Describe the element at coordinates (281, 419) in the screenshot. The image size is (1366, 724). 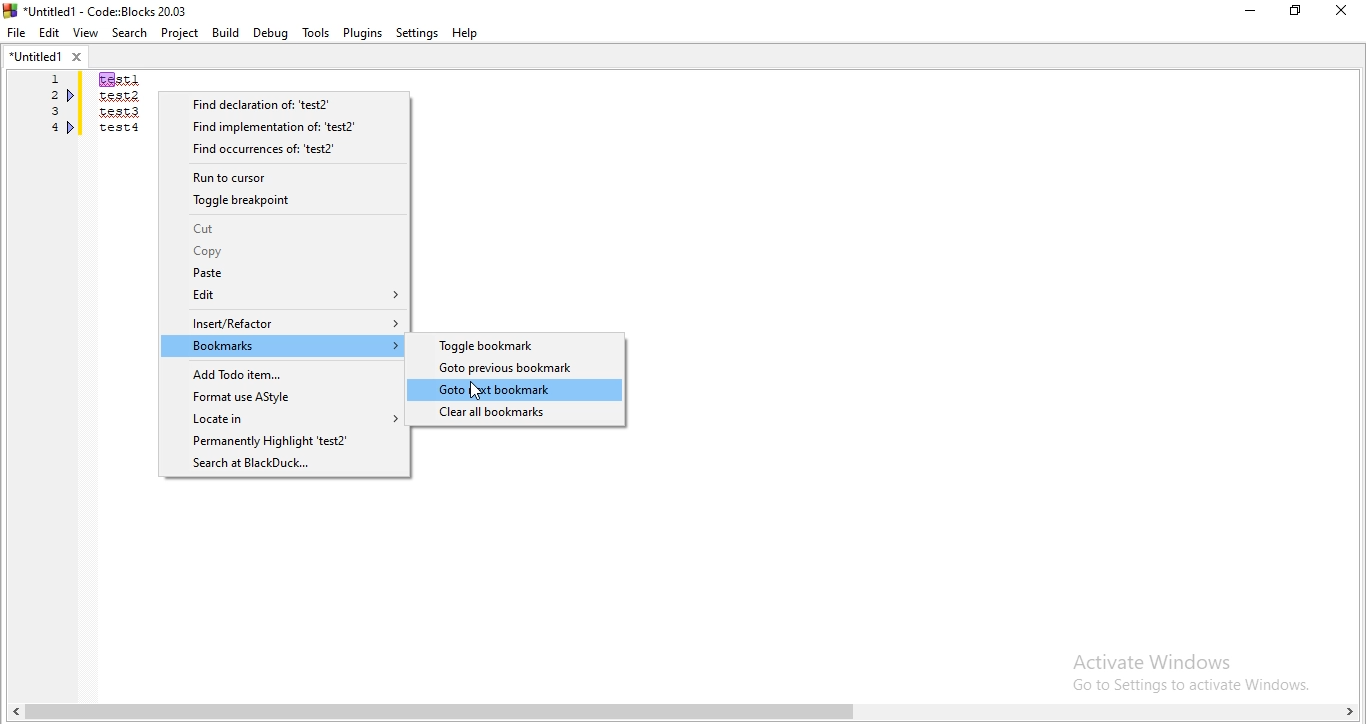
I see `Locate in` at that location.